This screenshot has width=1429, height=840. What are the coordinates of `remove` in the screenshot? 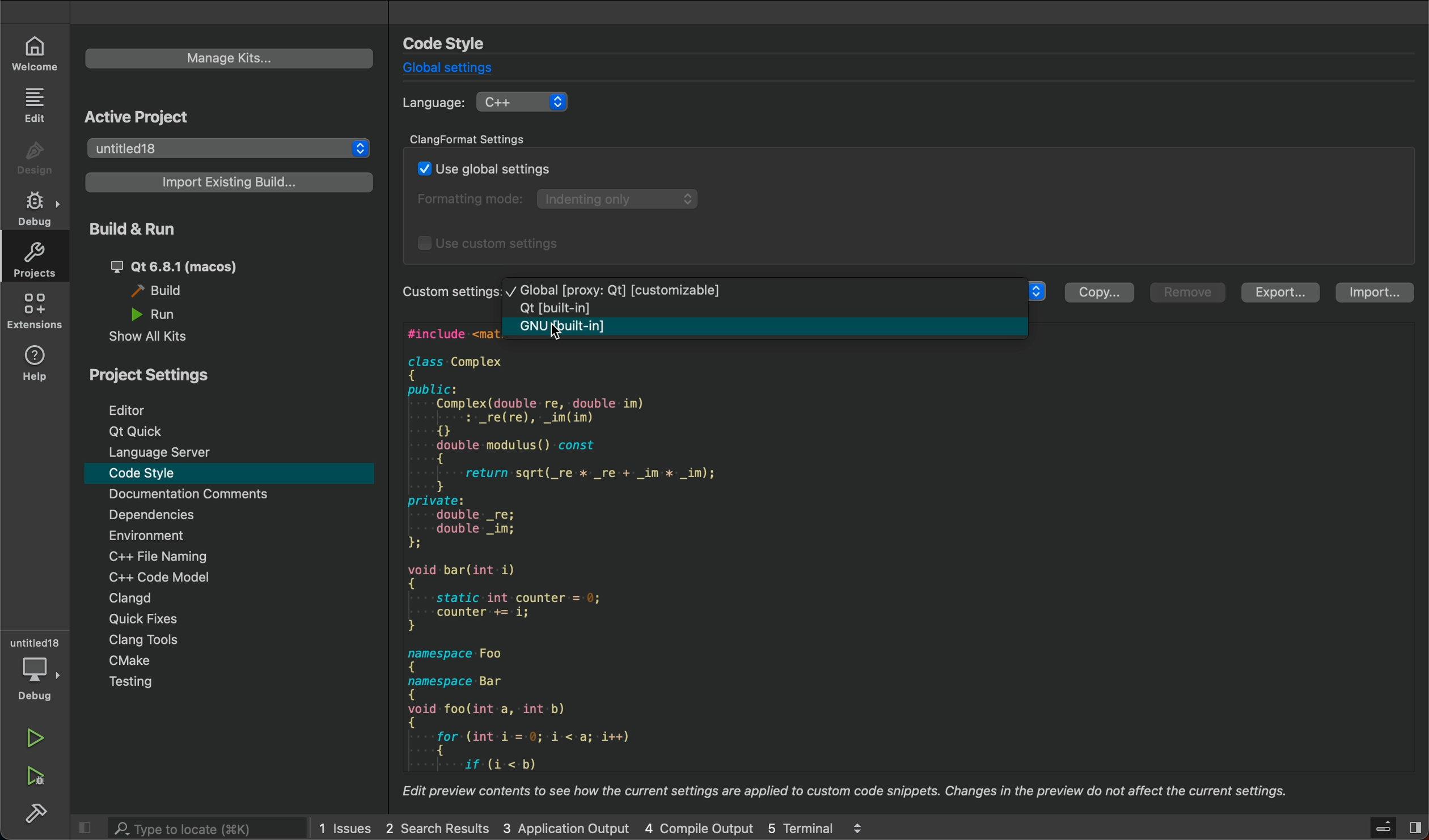 It's located at (1186, 292).